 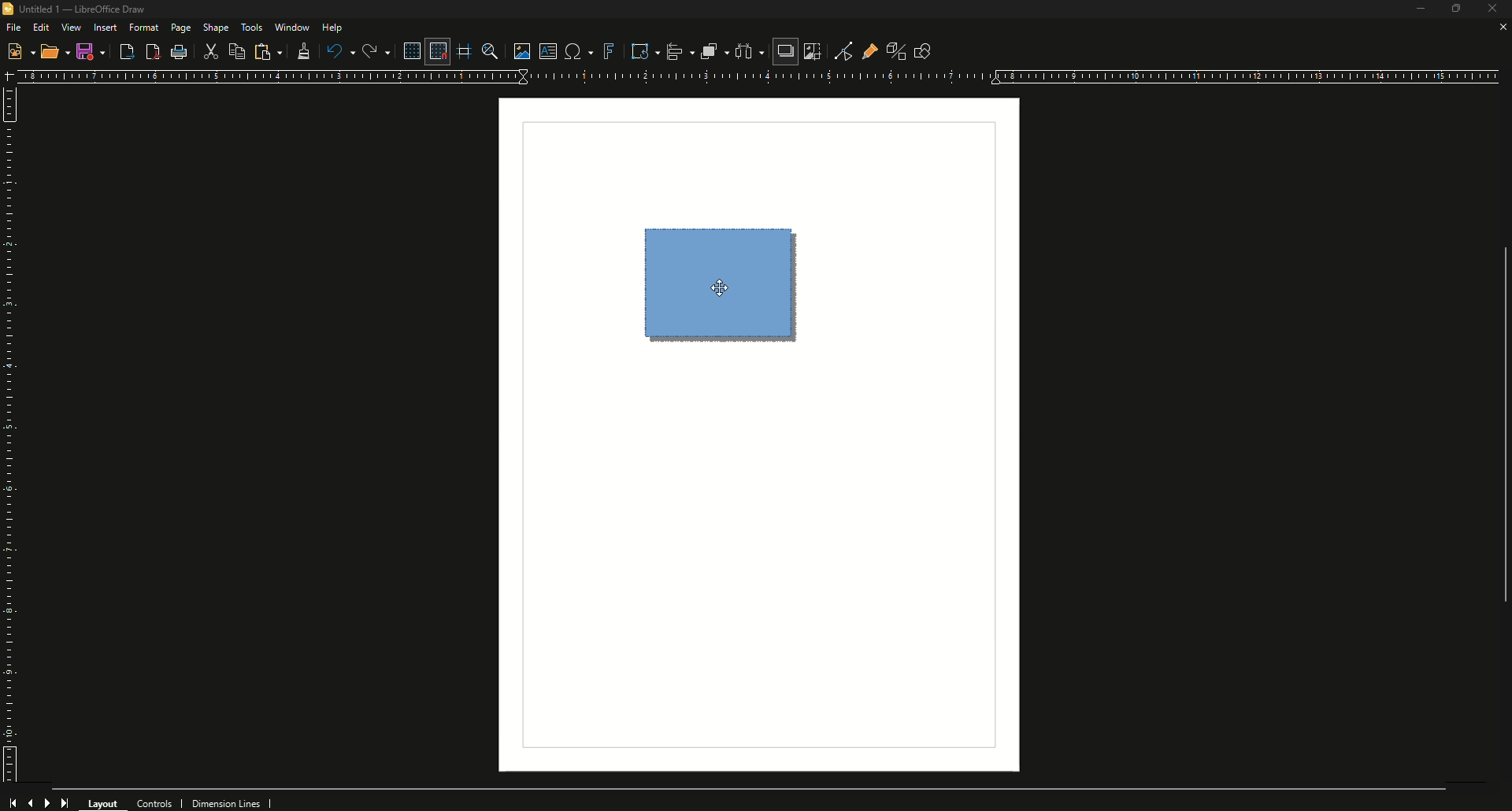 I want to click on Show Draw Function, so click(x=922, y=50).